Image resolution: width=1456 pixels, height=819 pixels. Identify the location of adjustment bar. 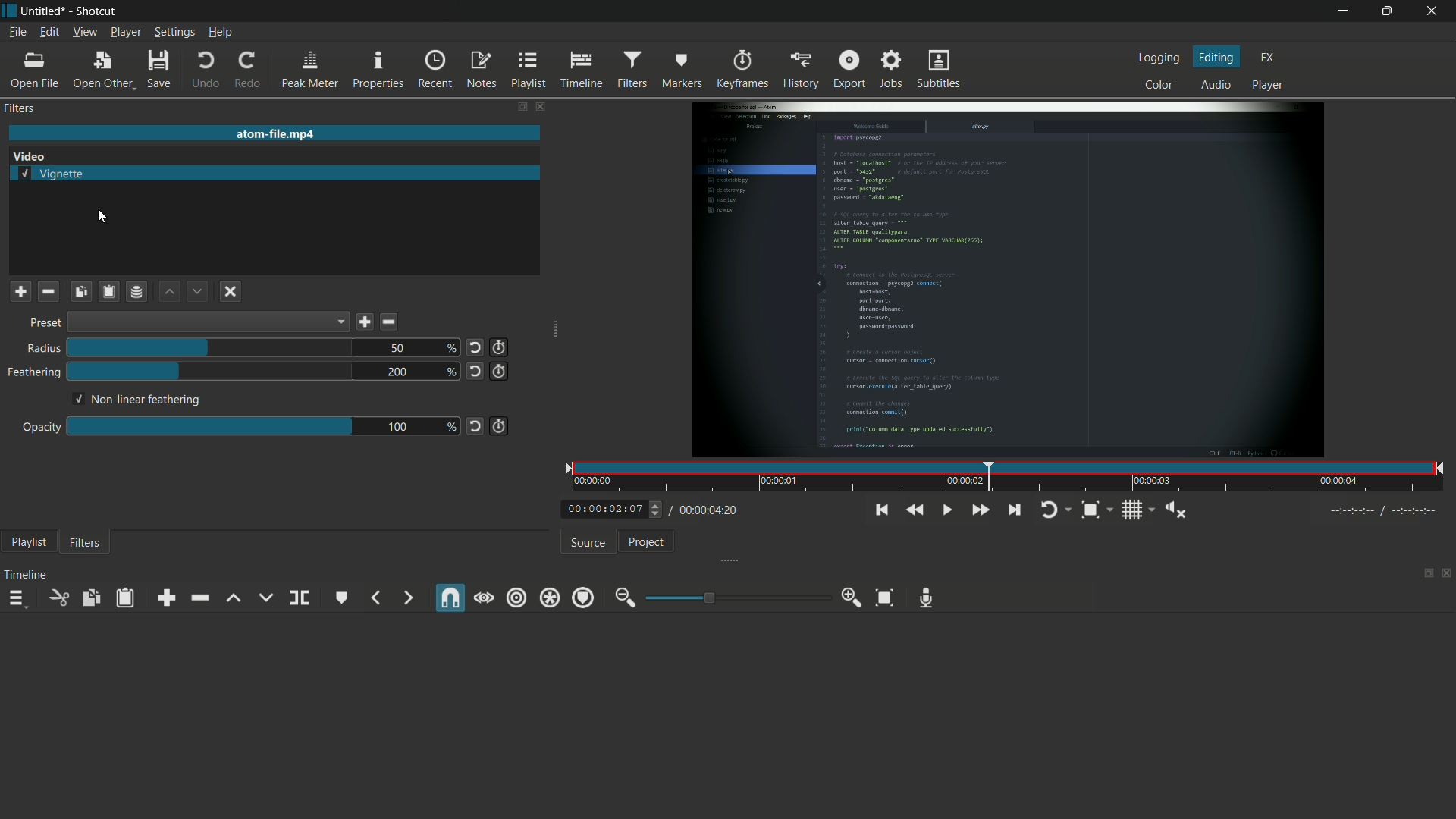
(209, 372).